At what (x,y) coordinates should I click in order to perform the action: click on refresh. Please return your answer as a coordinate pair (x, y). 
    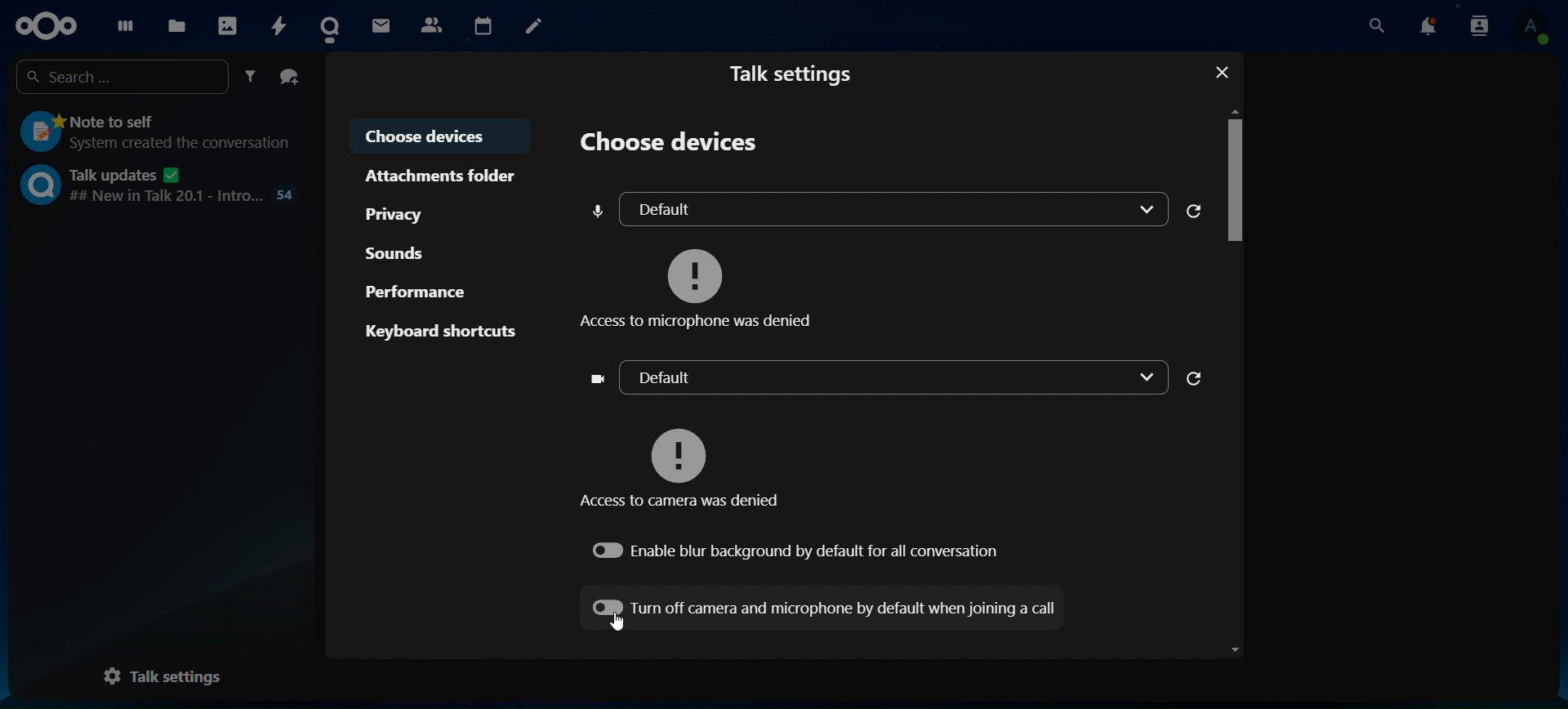
    Looking at the image, I should click on (1200, 210).